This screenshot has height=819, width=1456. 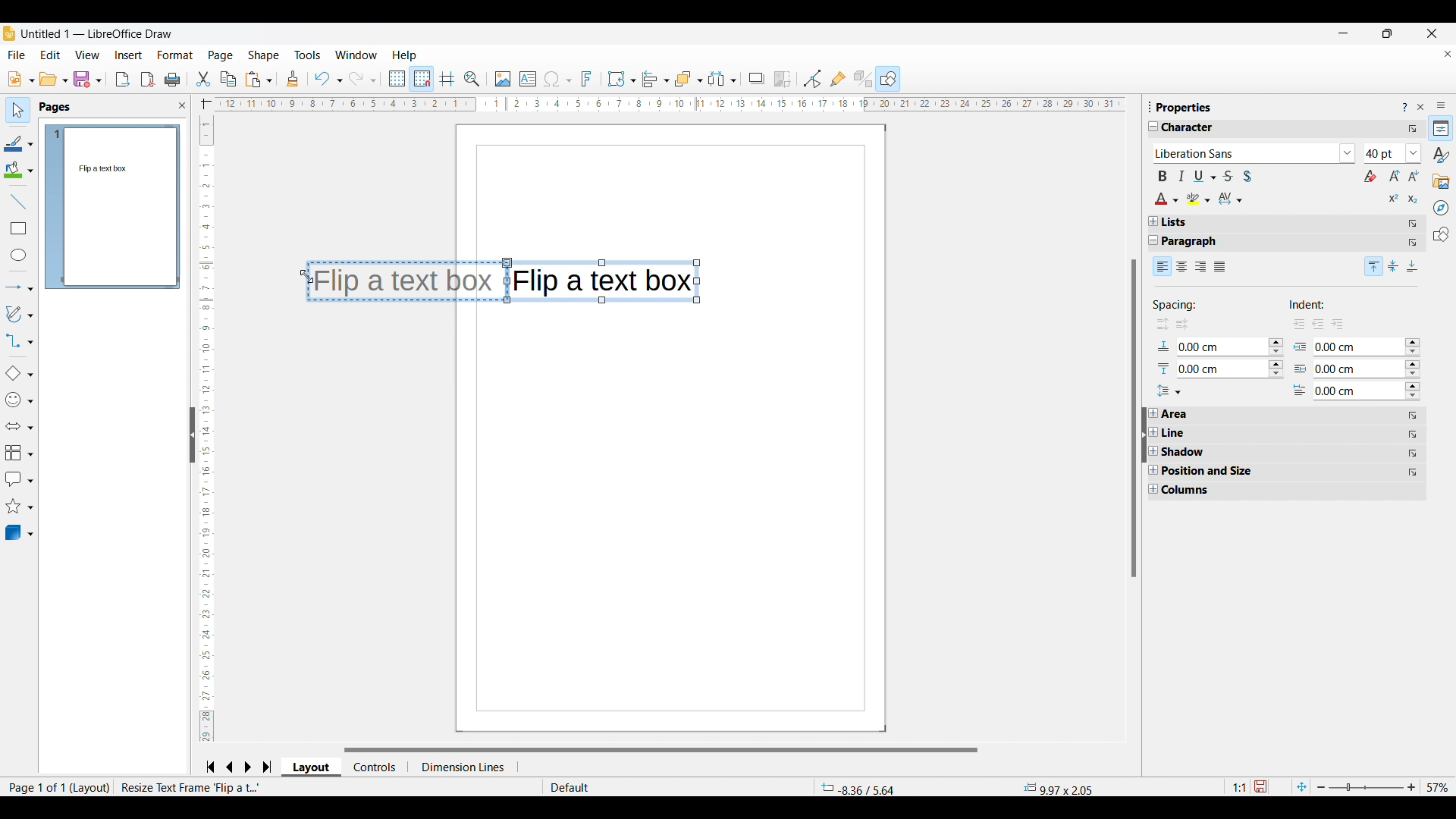 What do you see at coordinates (16, 55) in the screenshot?
I see `File menu` at bounding box center [16, 55].